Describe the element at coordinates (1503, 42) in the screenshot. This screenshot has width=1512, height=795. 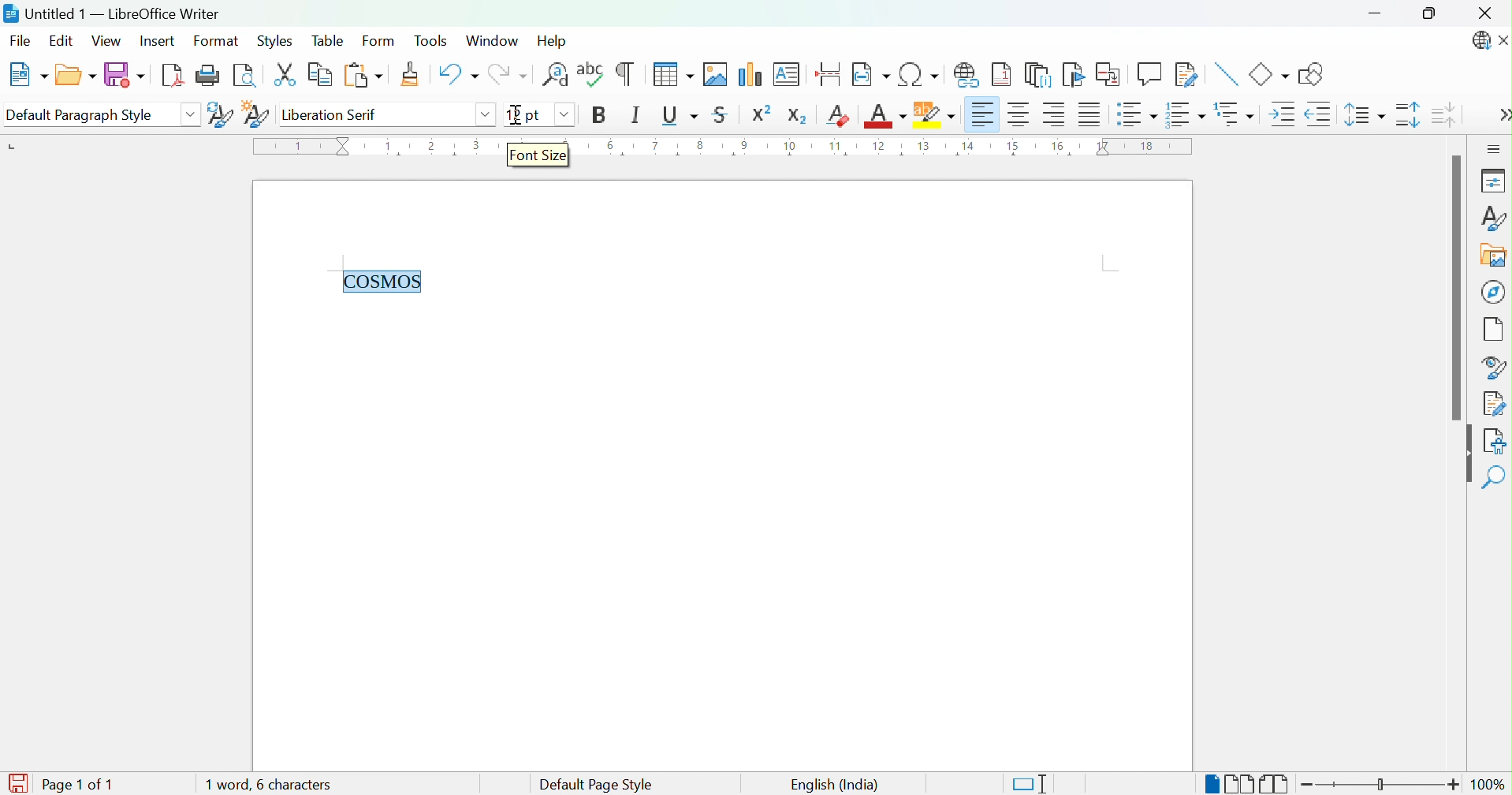
I see `Close` at that location.